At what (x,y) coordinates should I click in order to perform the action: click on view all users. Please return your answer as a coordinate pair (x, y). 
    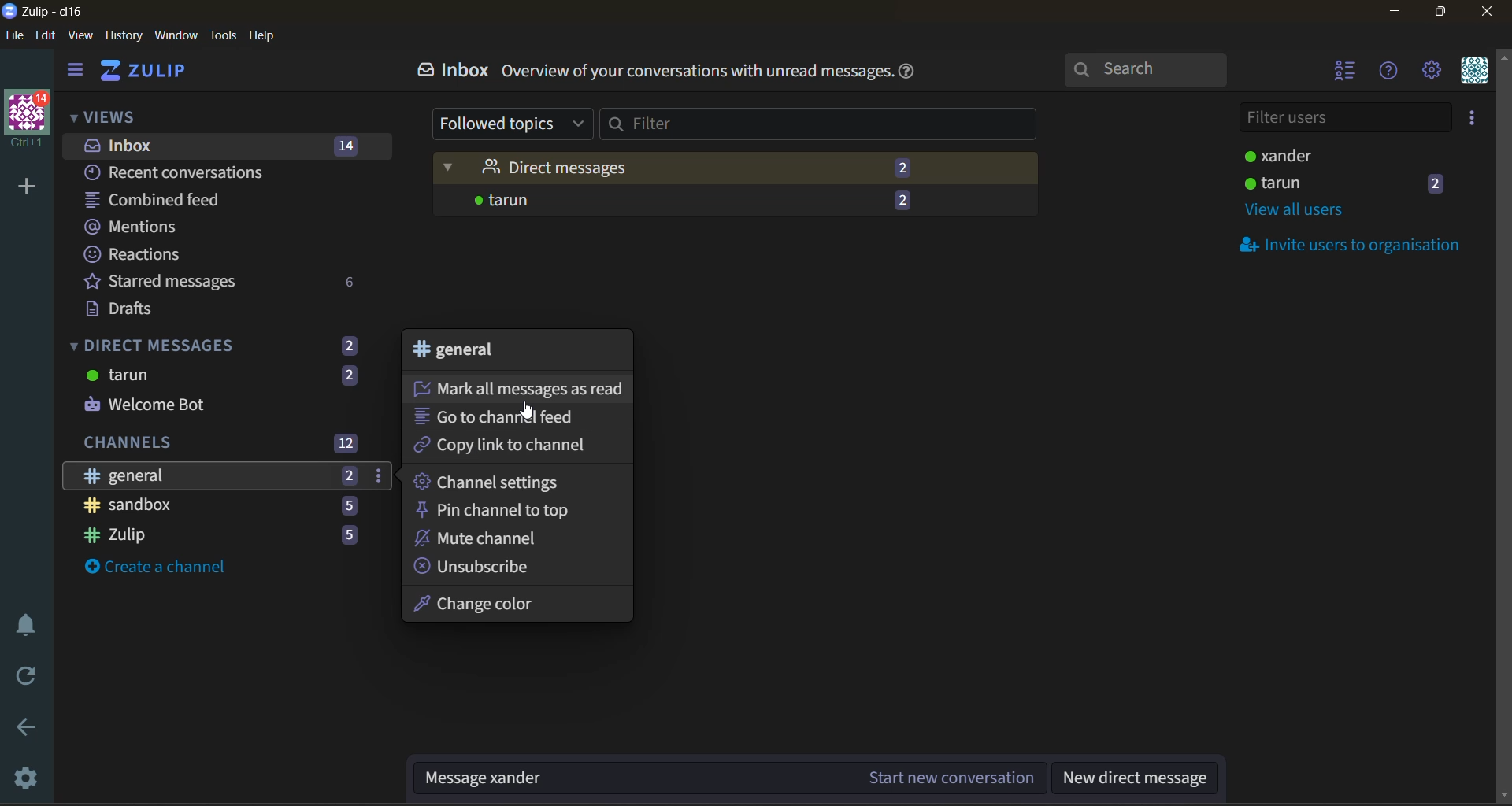
    Looking at the image, I should click on (1300, 212).